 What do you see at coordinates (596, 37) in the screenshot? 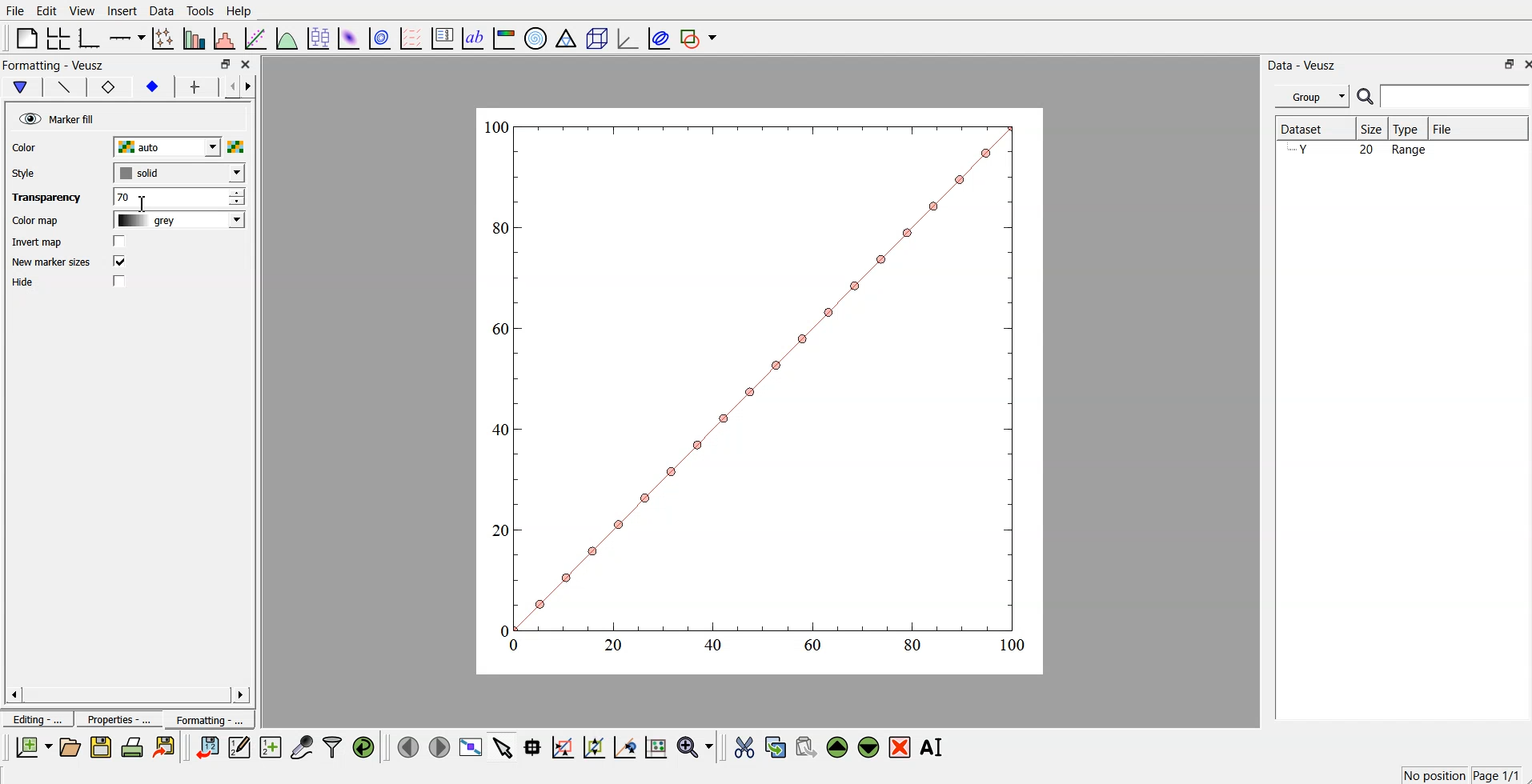
I see `3D scene` at bounding box center [596, 37].